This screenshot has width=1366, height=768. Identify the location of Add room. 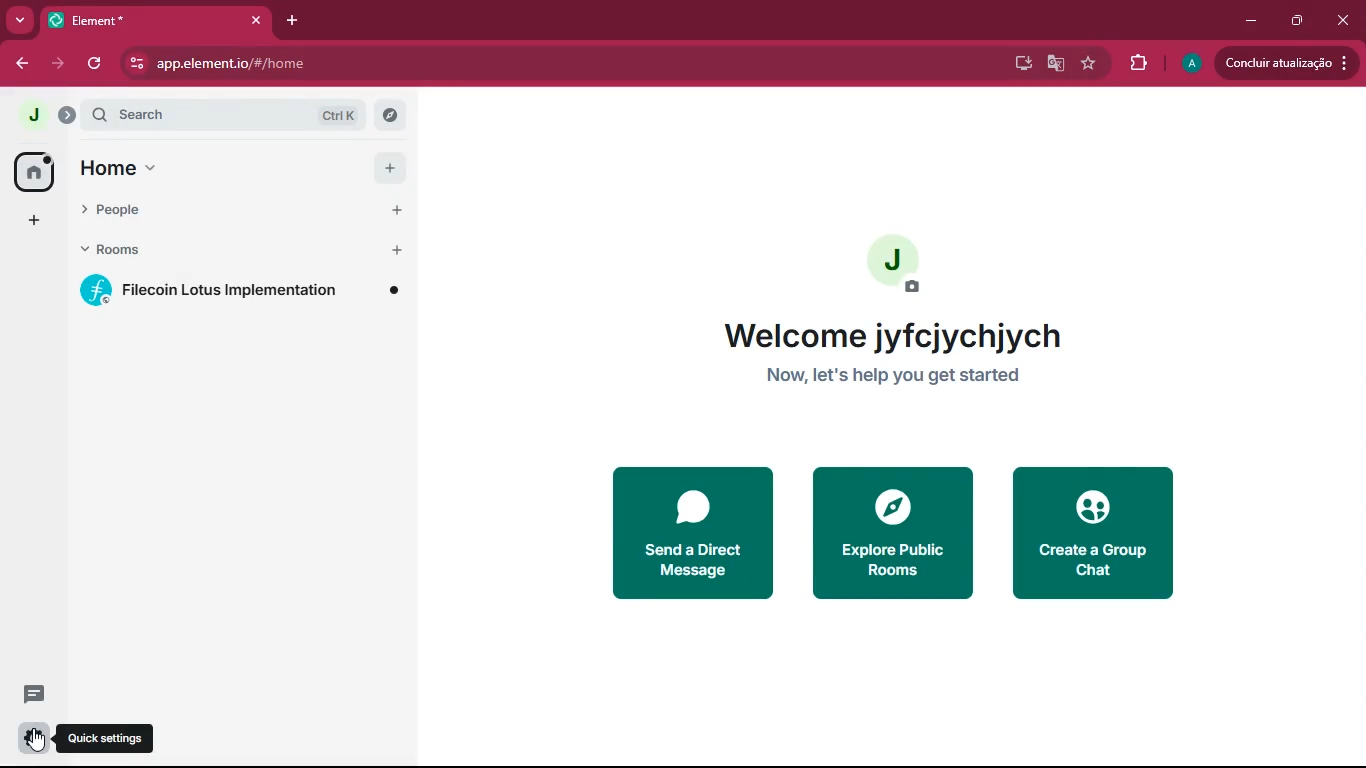
(398, 250).